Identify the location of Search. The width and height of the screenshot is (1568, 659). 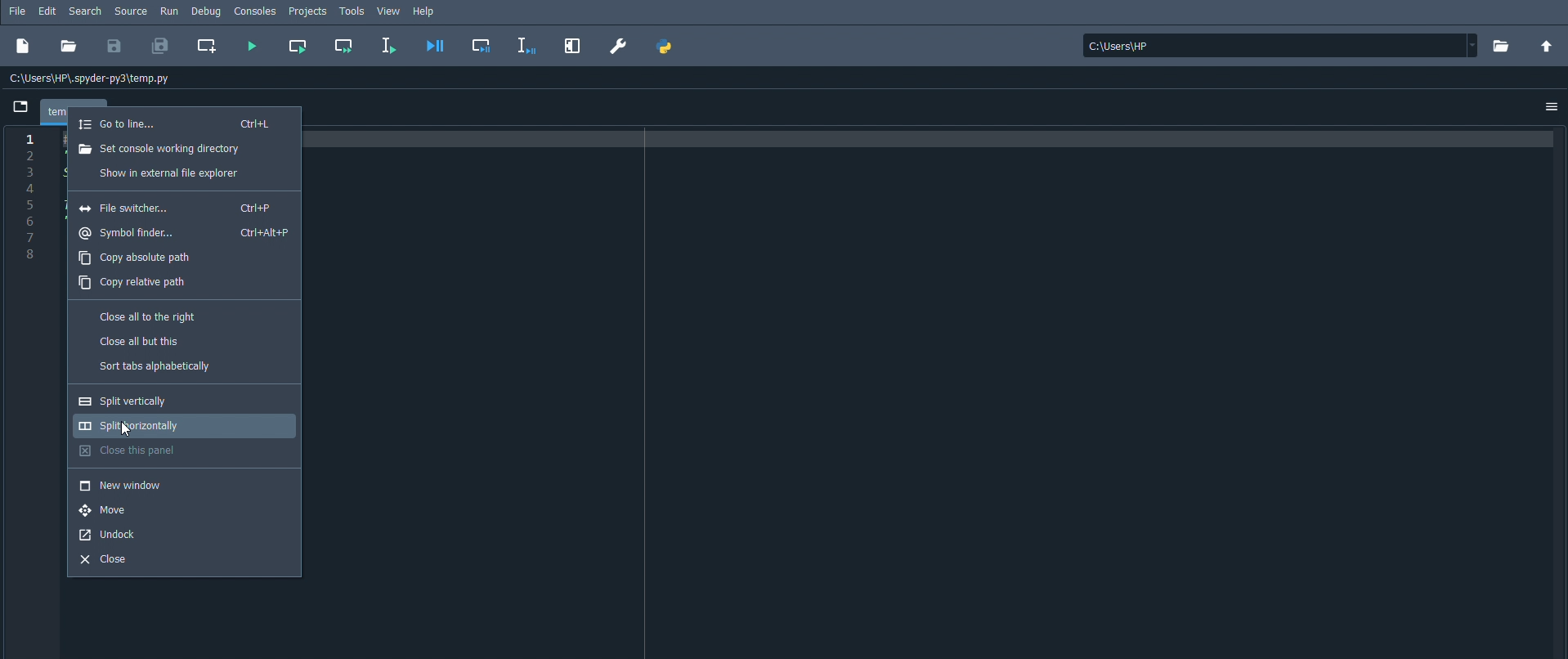
(86, 11).